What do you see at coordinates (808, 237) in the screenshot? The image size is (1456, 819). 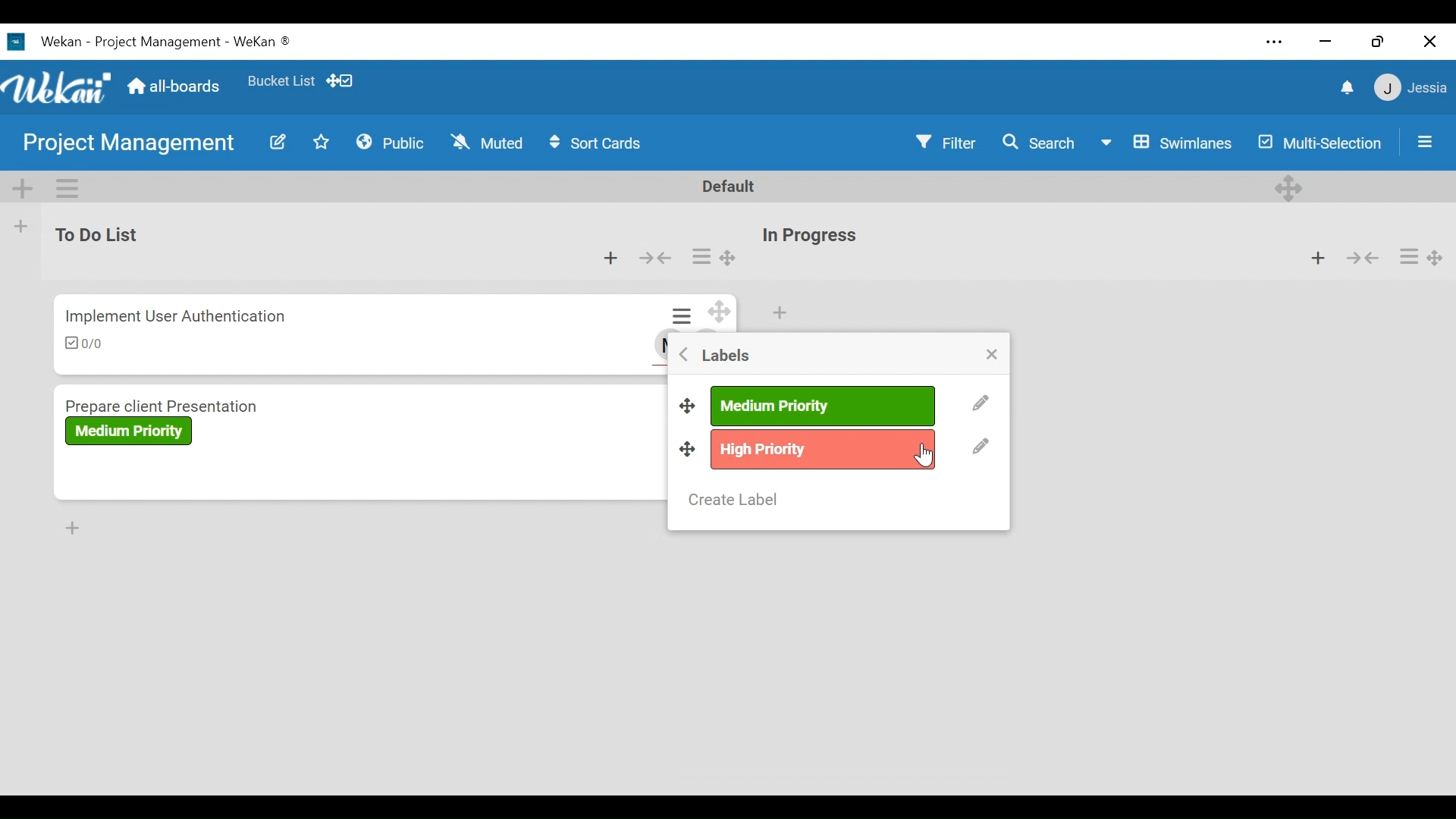 I see `List Title` at bounding box center [808, 237].